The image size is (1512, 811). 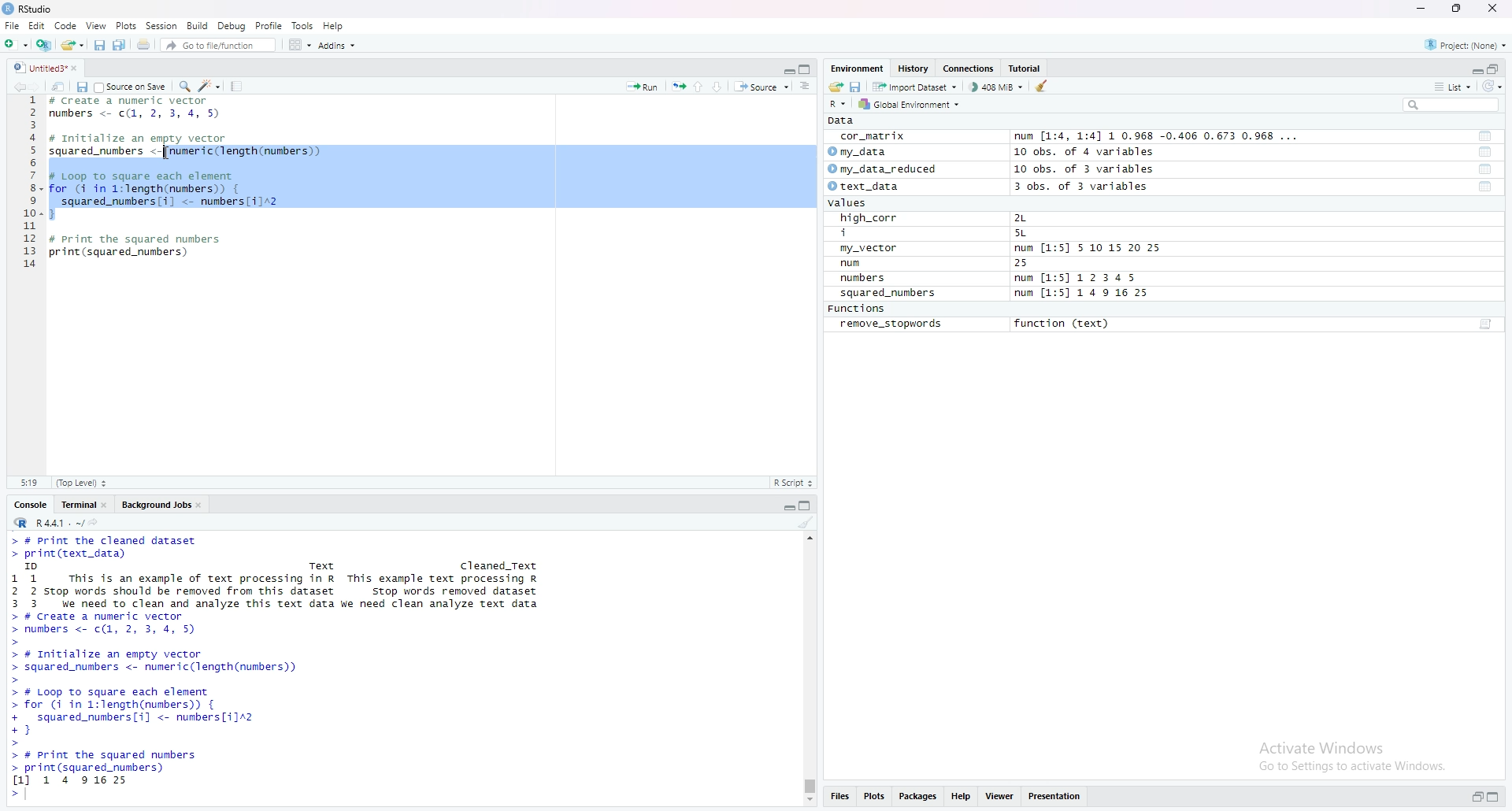 What do you see at coordinates (142, 43) in the screenshot?
I see `Print the current file` at bounding box center [142, 43].